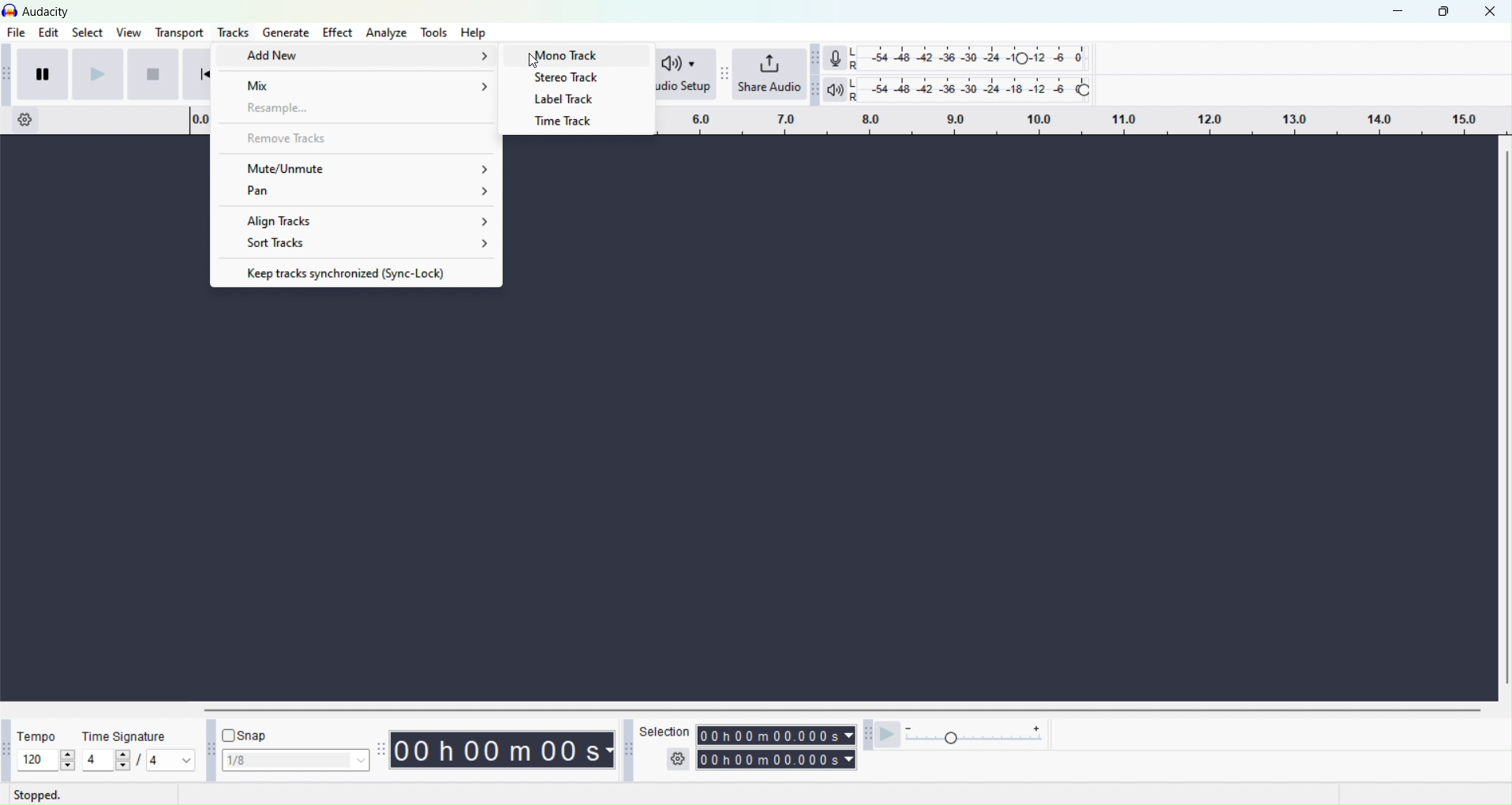 Image resolution: width=1512 pixels, height=805 pixels. Describe the element at coordinates (866, 738) in the screenshot. I see `Audacity play at speed toolbar` at that location.